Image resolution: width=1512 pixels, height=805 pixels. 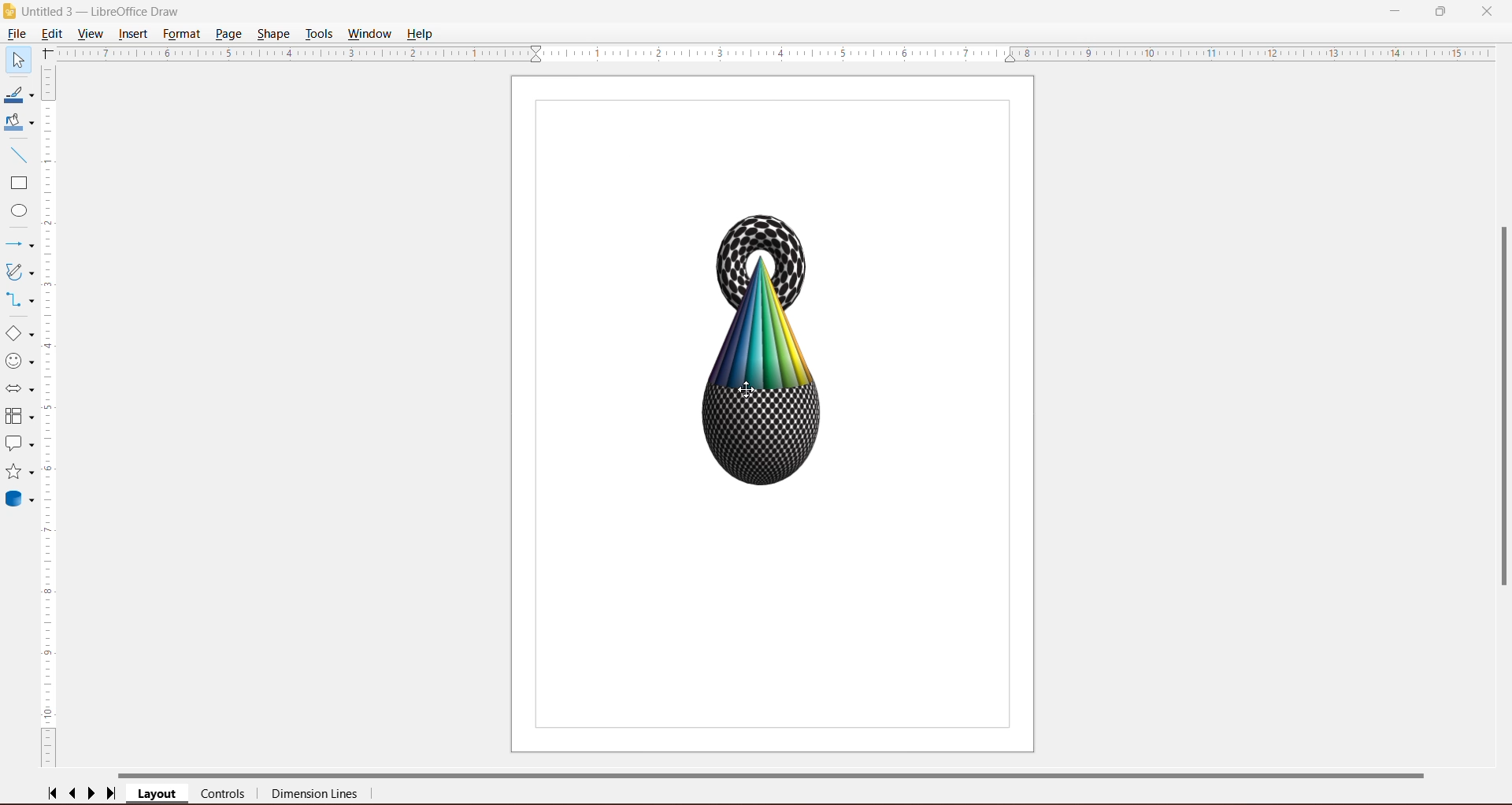 I want to click on Ellipse, so click(x=16, y=210).